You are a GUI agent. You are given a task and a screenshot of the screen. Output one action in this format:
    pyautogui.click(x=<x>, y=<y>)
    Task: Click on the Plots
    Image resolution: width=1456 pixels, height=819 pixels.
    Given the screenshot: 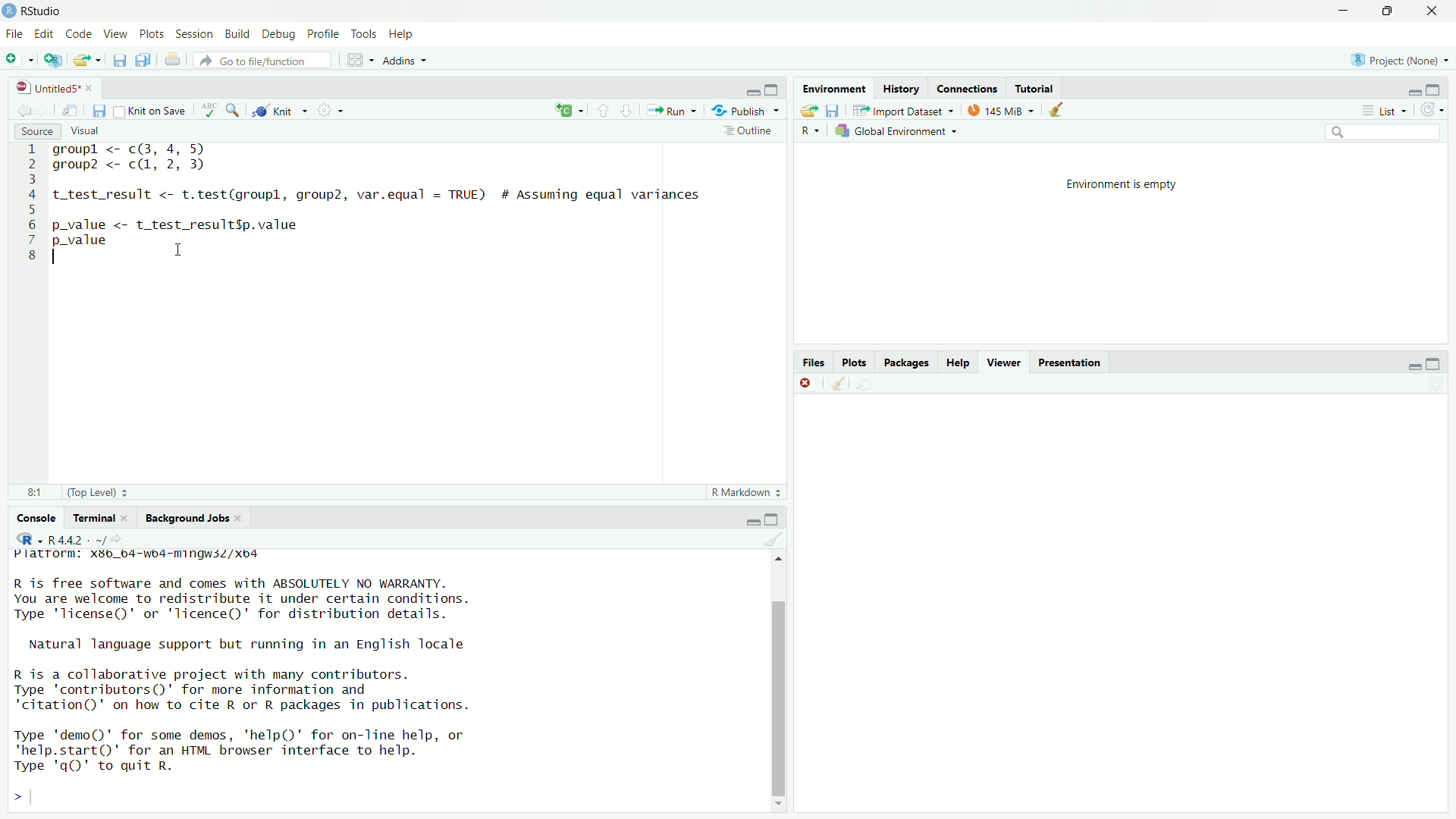 What is the action you would take?
    pyautogui.click(x=152, y=32)
    